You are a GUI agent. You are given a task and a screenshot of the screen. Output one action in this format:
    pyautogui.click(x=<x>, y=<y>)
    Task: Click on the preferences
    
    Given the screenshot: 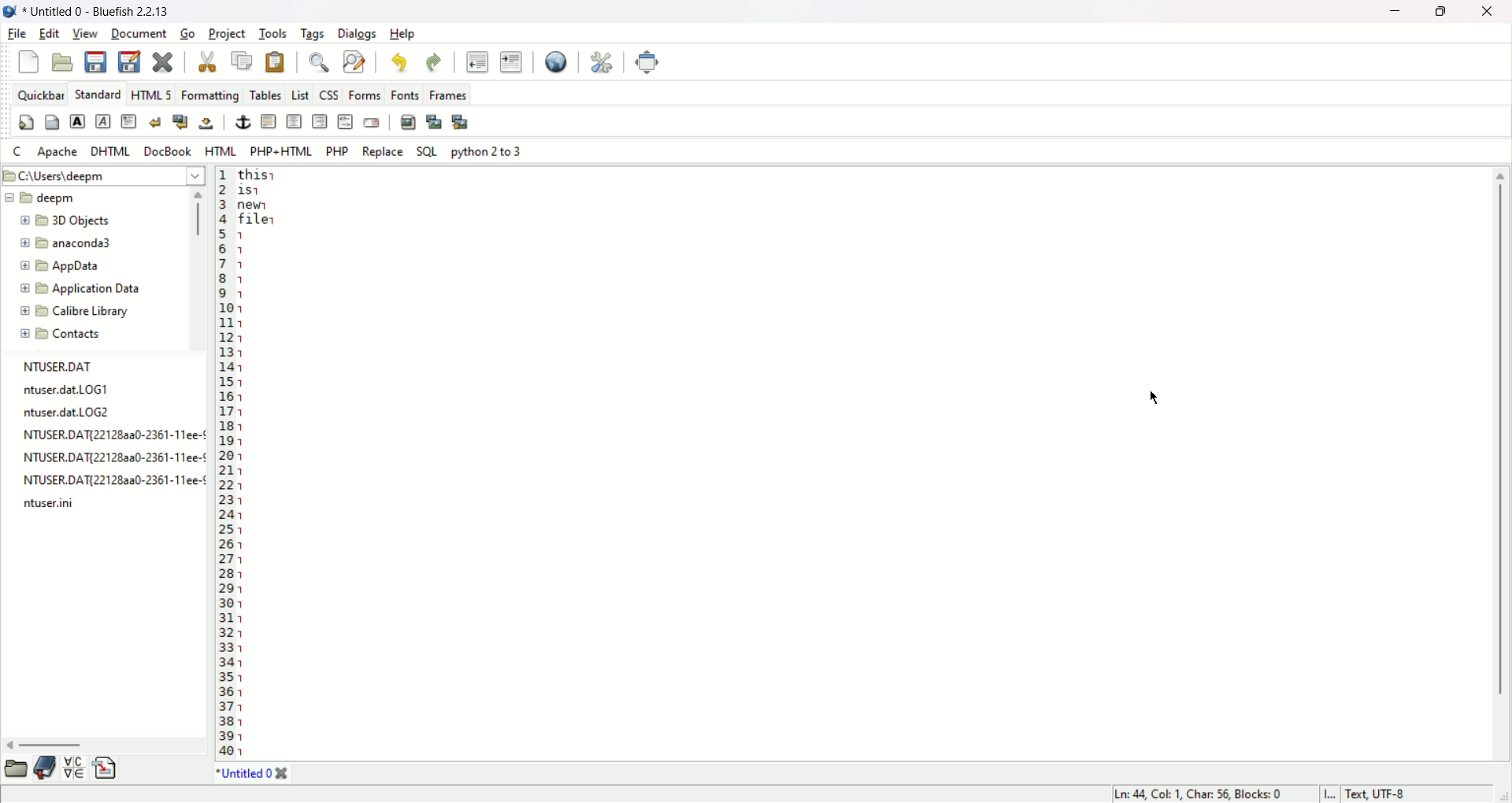 What is the action you would take?
    pyautogui.click(x=600, y=63)
    